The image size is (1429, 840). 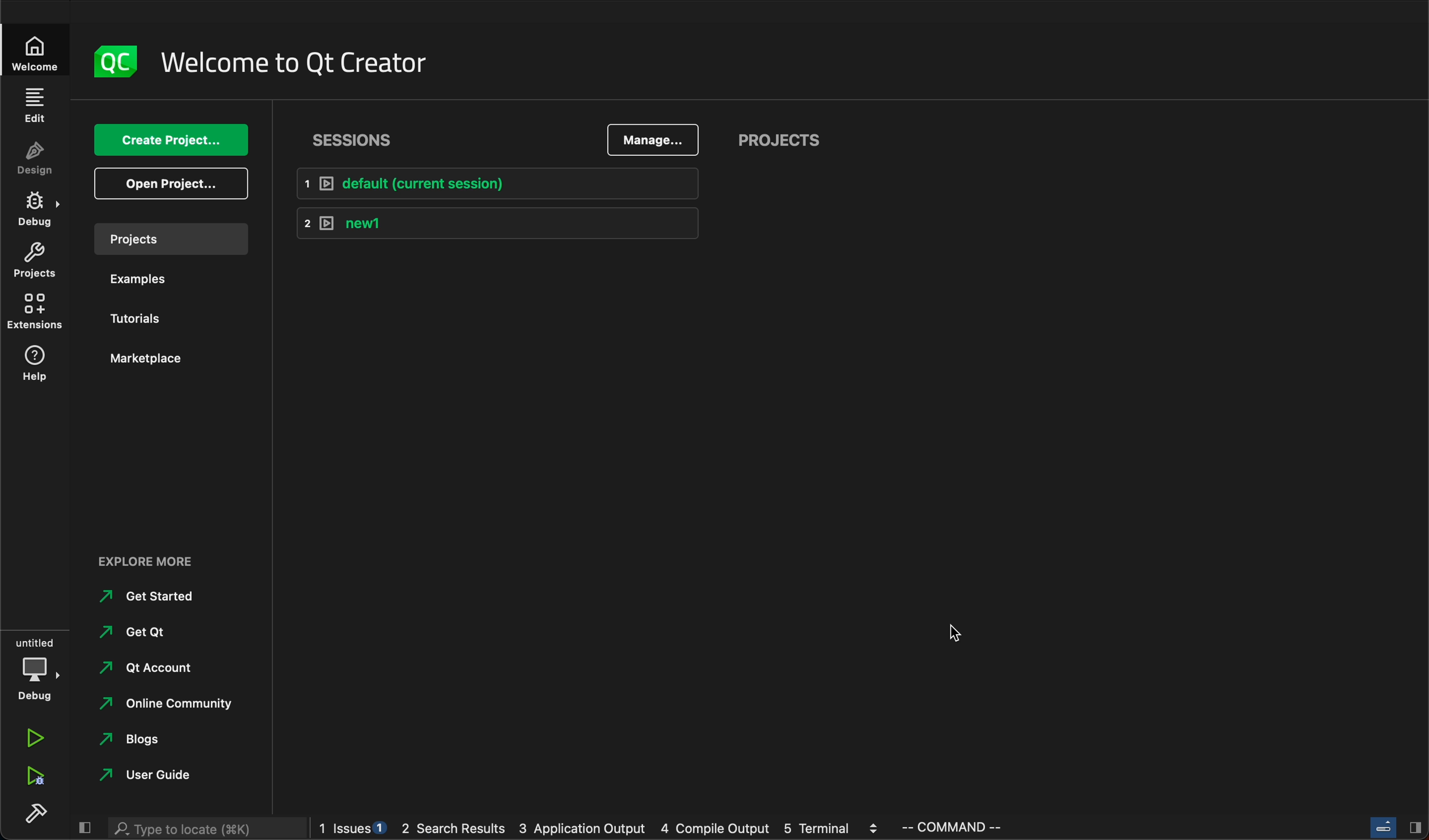 What do you see at coordinates (166, 706) in the screenshot?
I see `community` at bounding box center [166, 706].